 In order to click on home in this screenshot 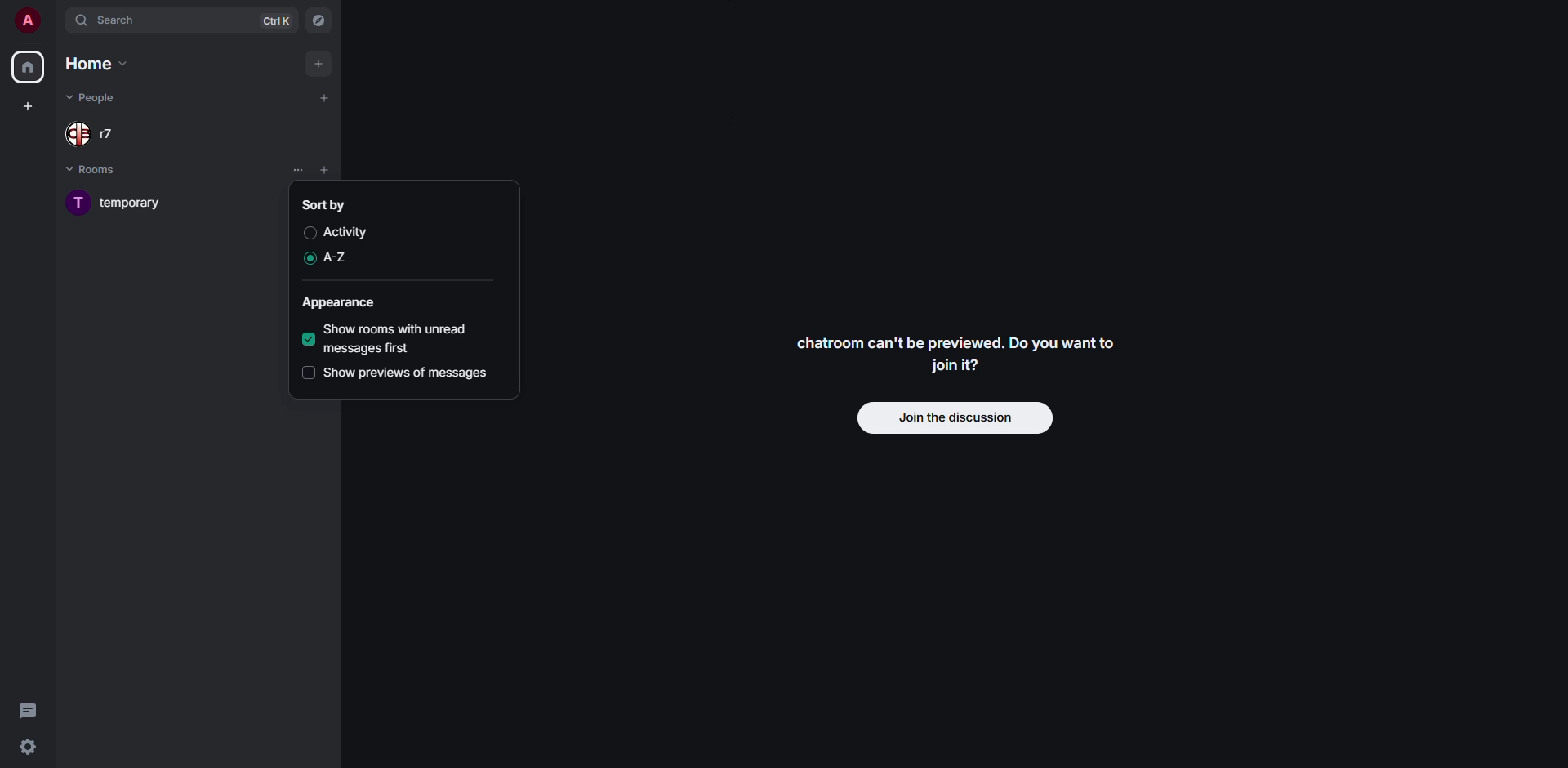, I will do `click(28, 68)`.